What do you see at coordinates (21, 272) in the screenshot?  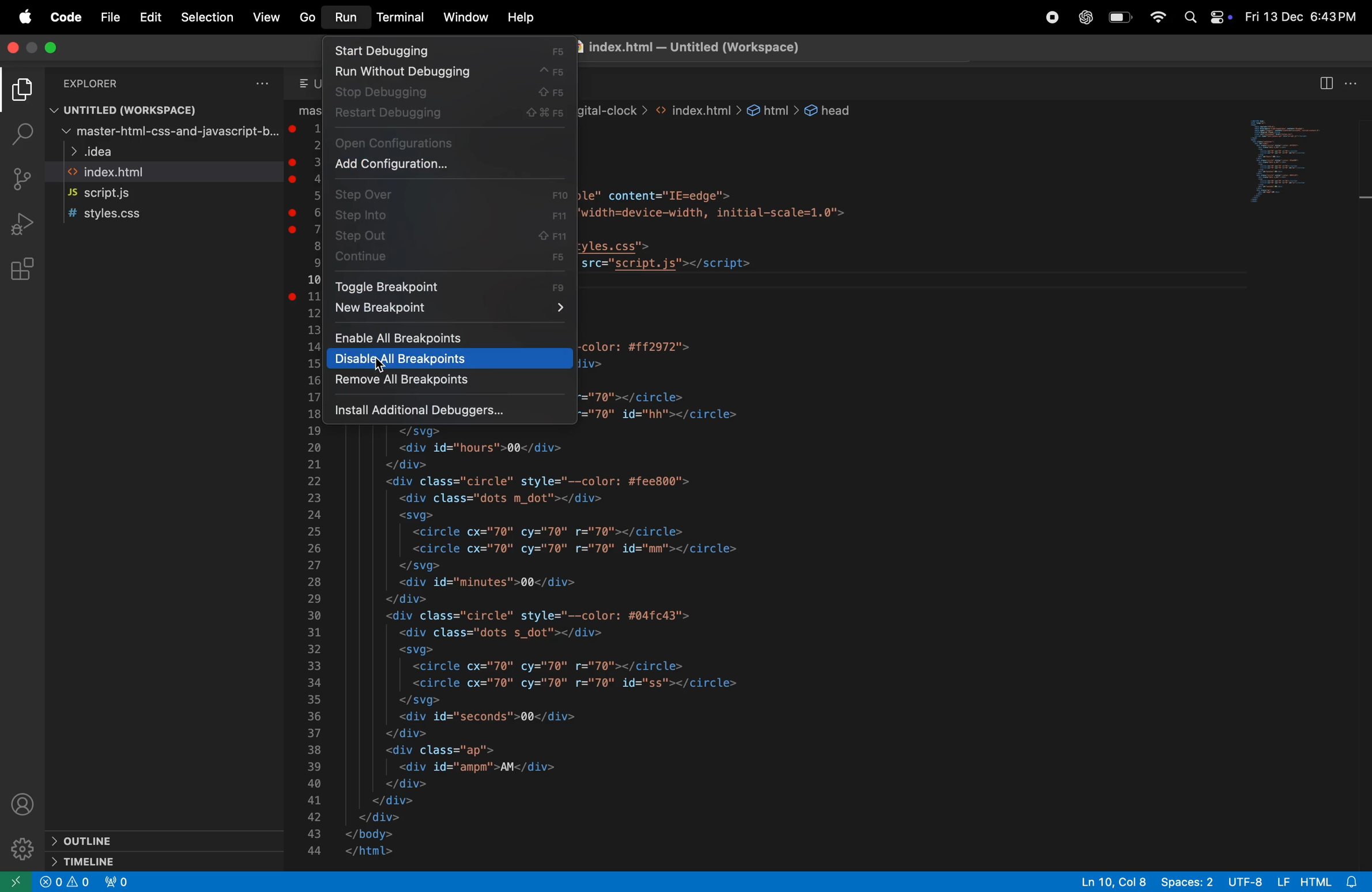 I see `extensions` at bounding box center [21, 272].